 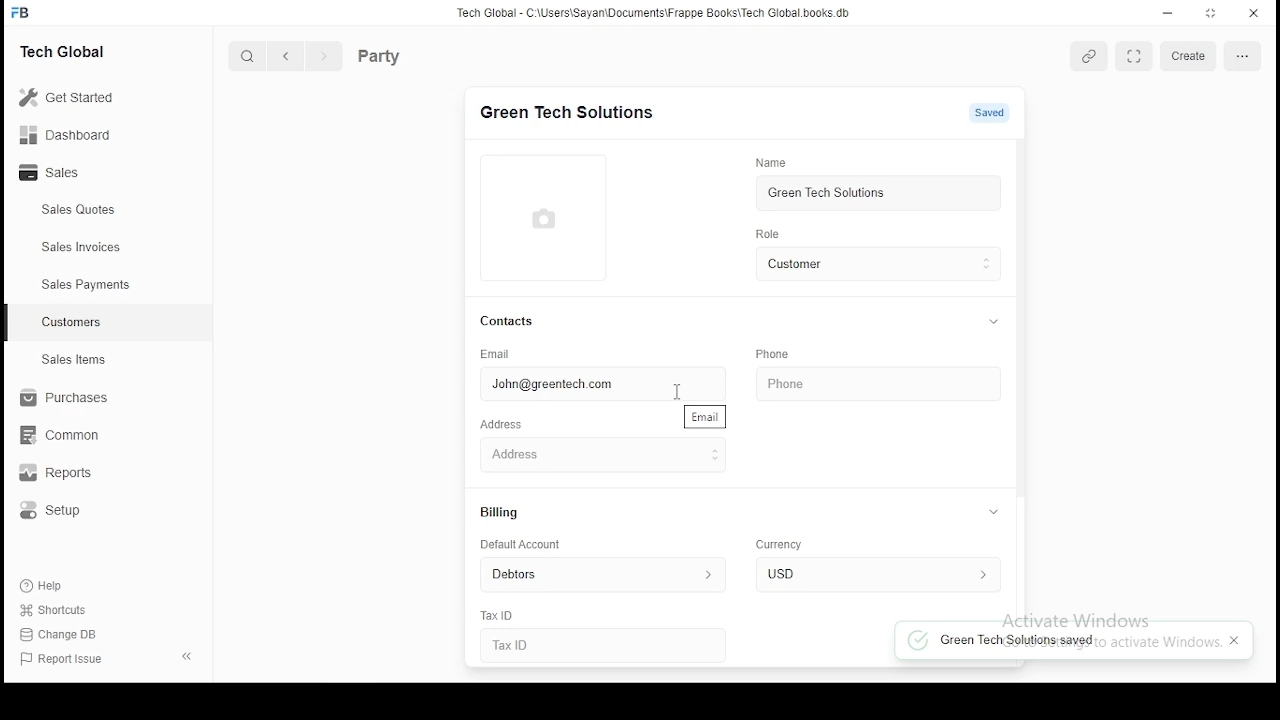 I want to click on restore, so click(x=1211, y=12).